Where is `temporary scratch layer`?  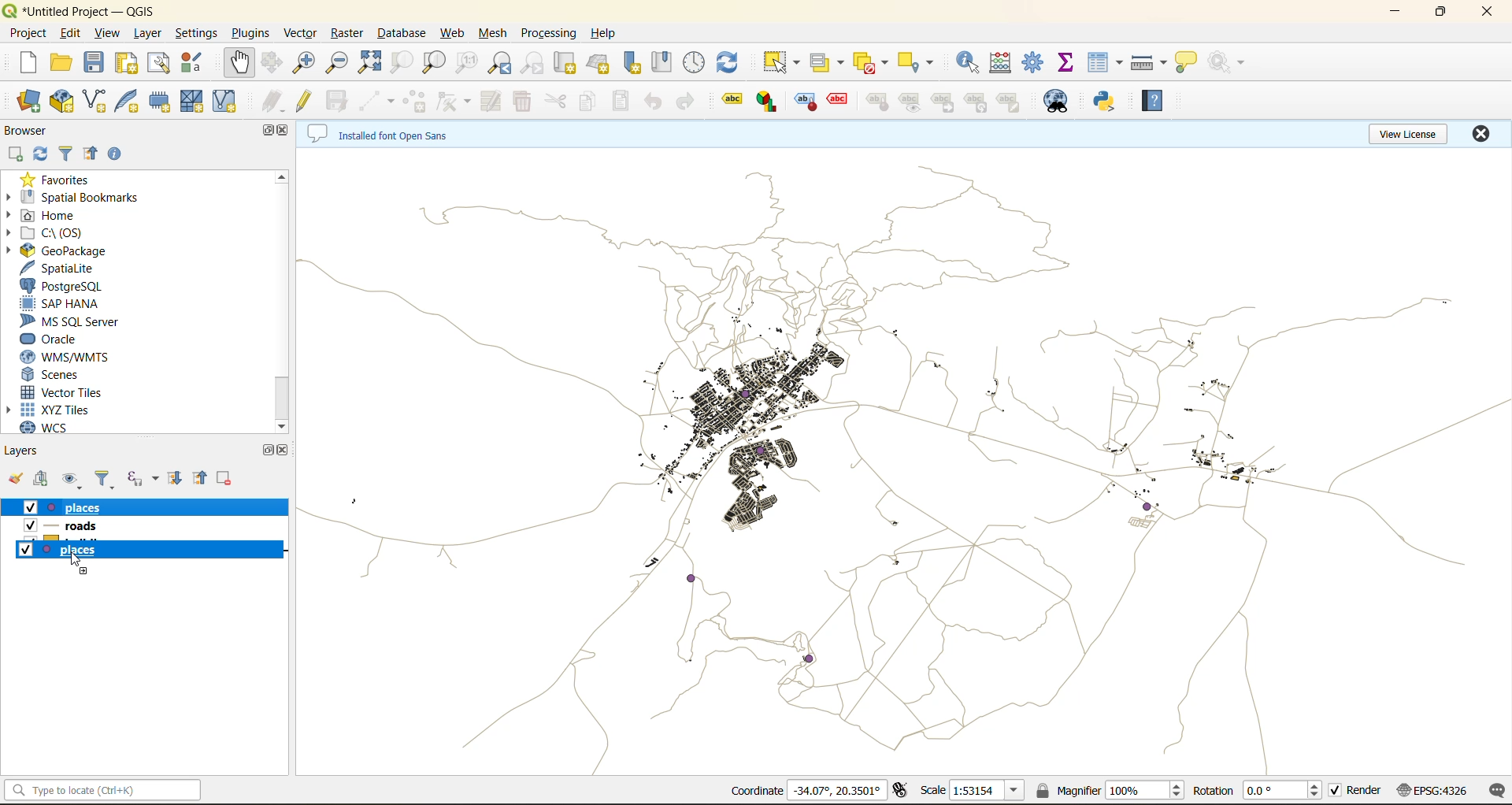 temporary scratch layer is located at coordinates (163, 103).